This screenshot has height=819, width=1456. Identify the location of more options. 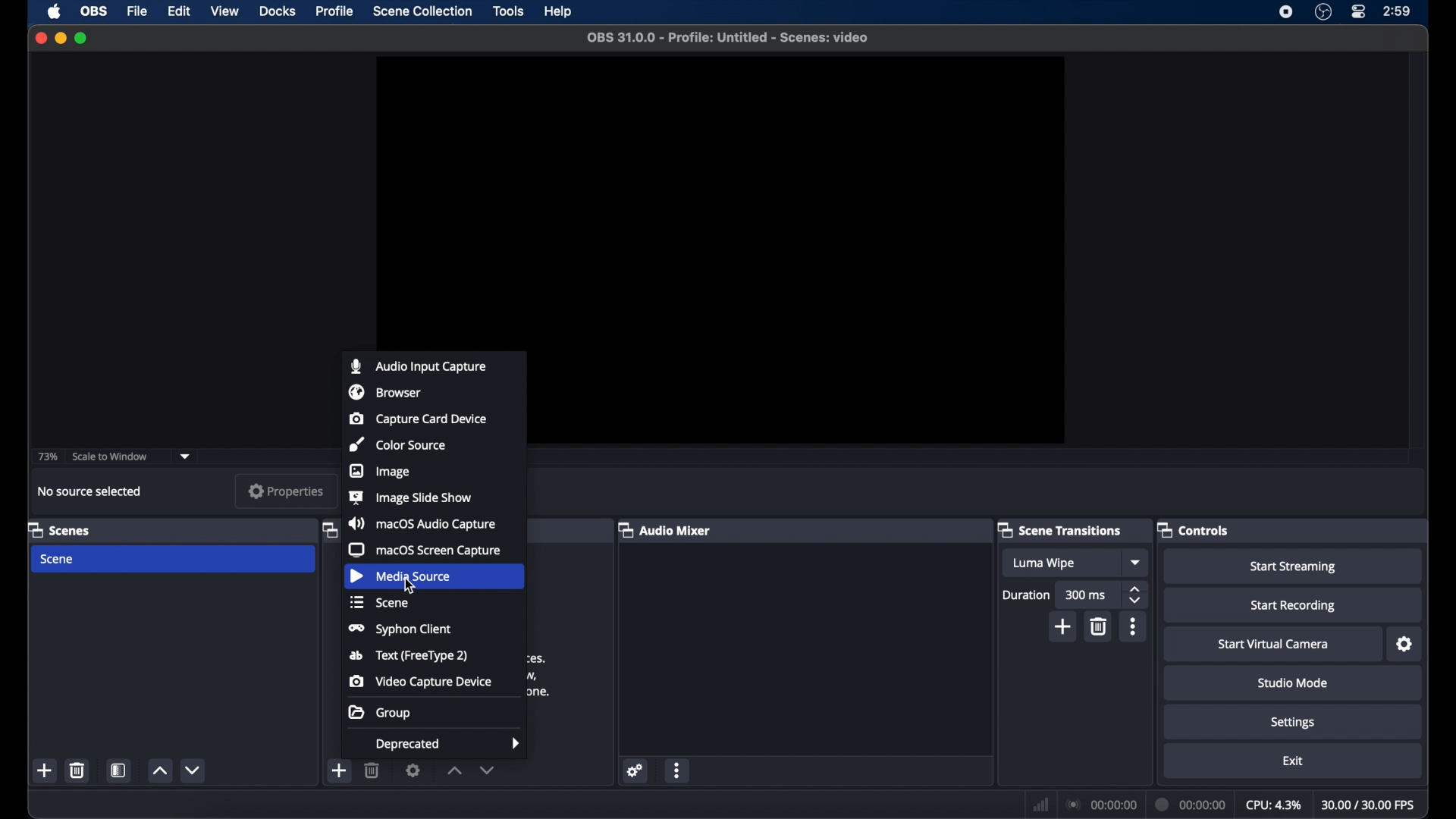
(1134, 627).